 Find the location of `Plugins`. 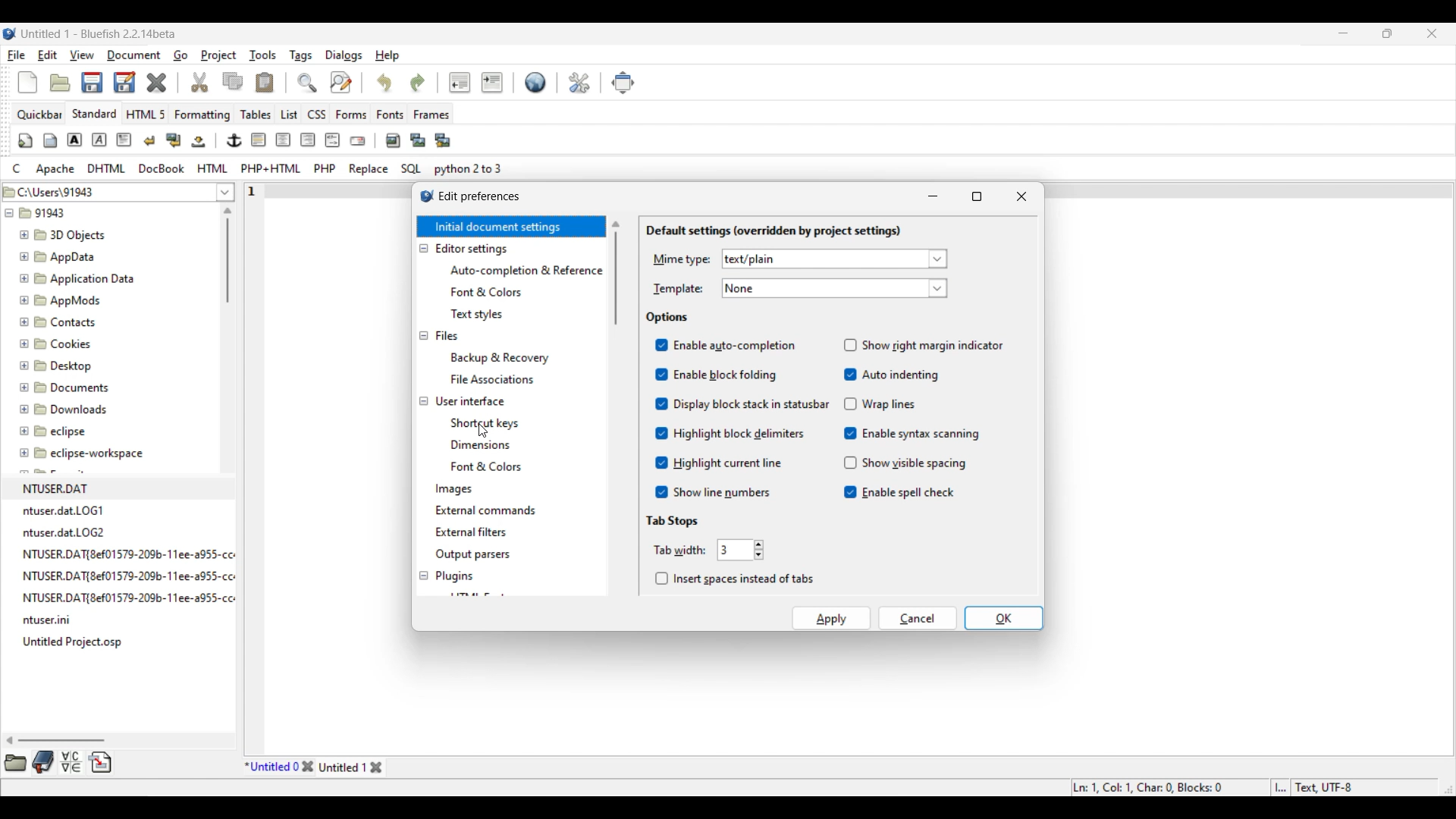

Plugins is located at coordinates (455, 576).